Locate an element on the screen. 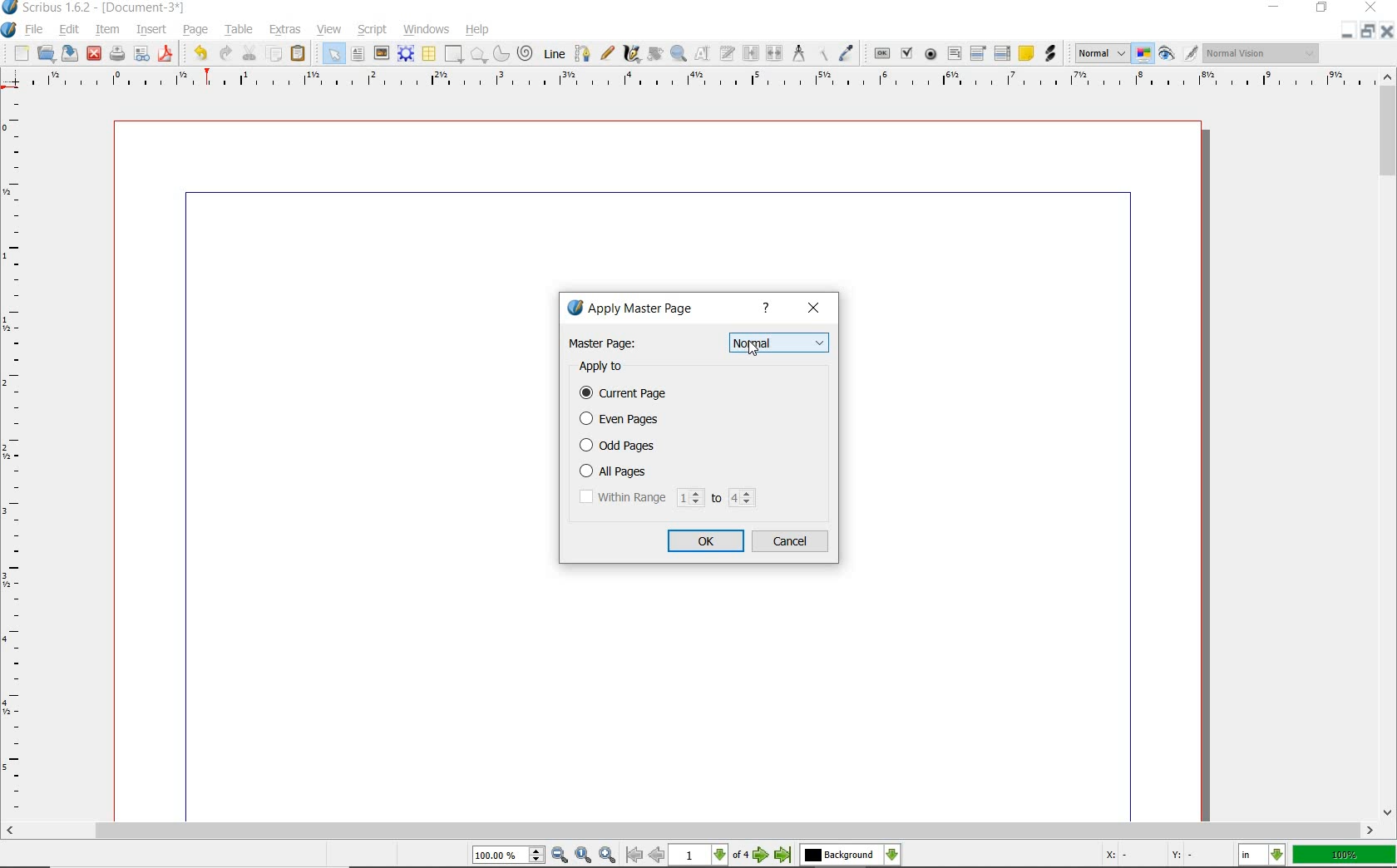 The height and width of the screenshot is (868, 1397). Close is located at coordinates (1389, 33).